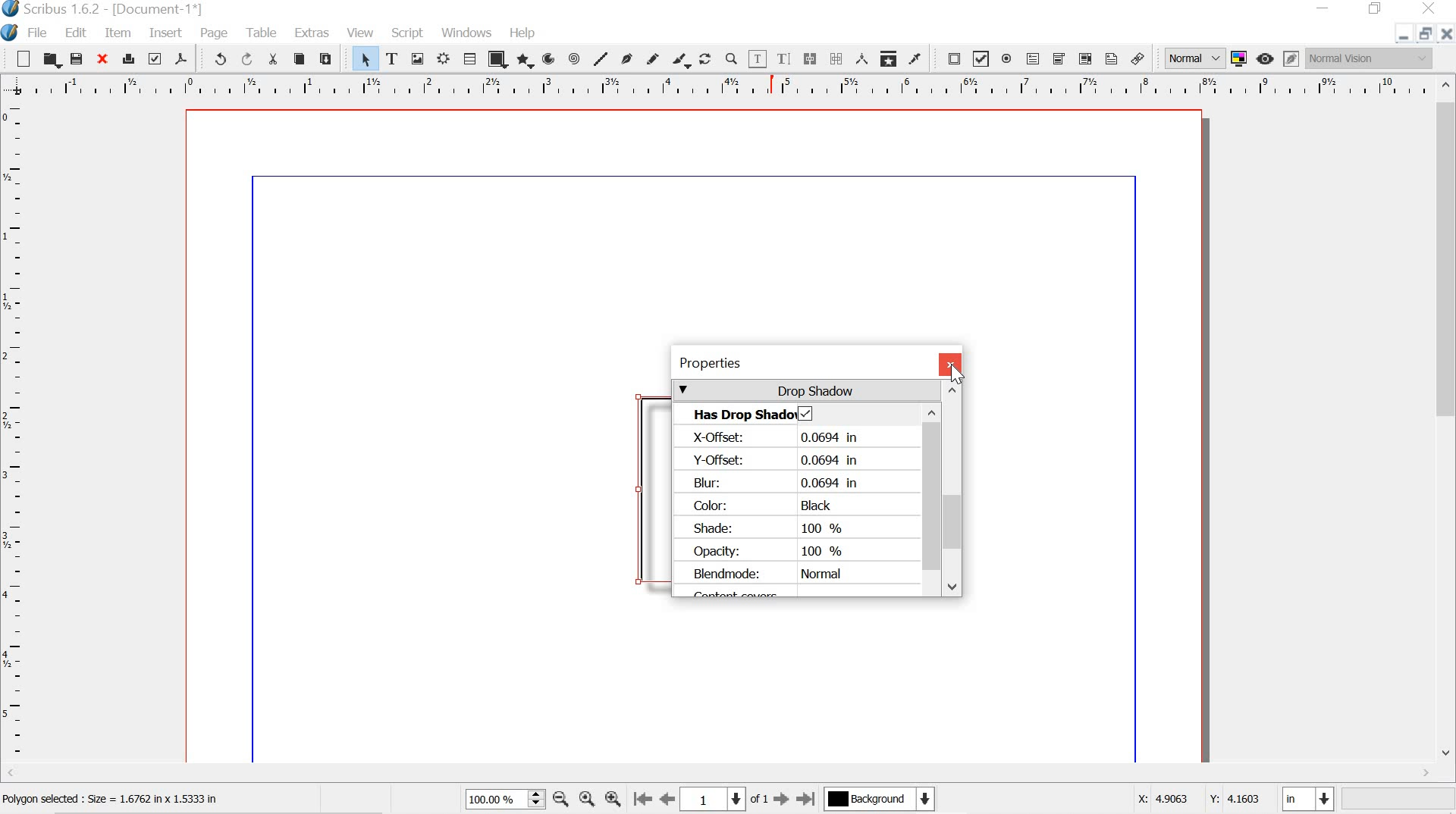 The width and height of the screenshot is (1456, 814). I want to click on CLOSE, so click(1447, 34).